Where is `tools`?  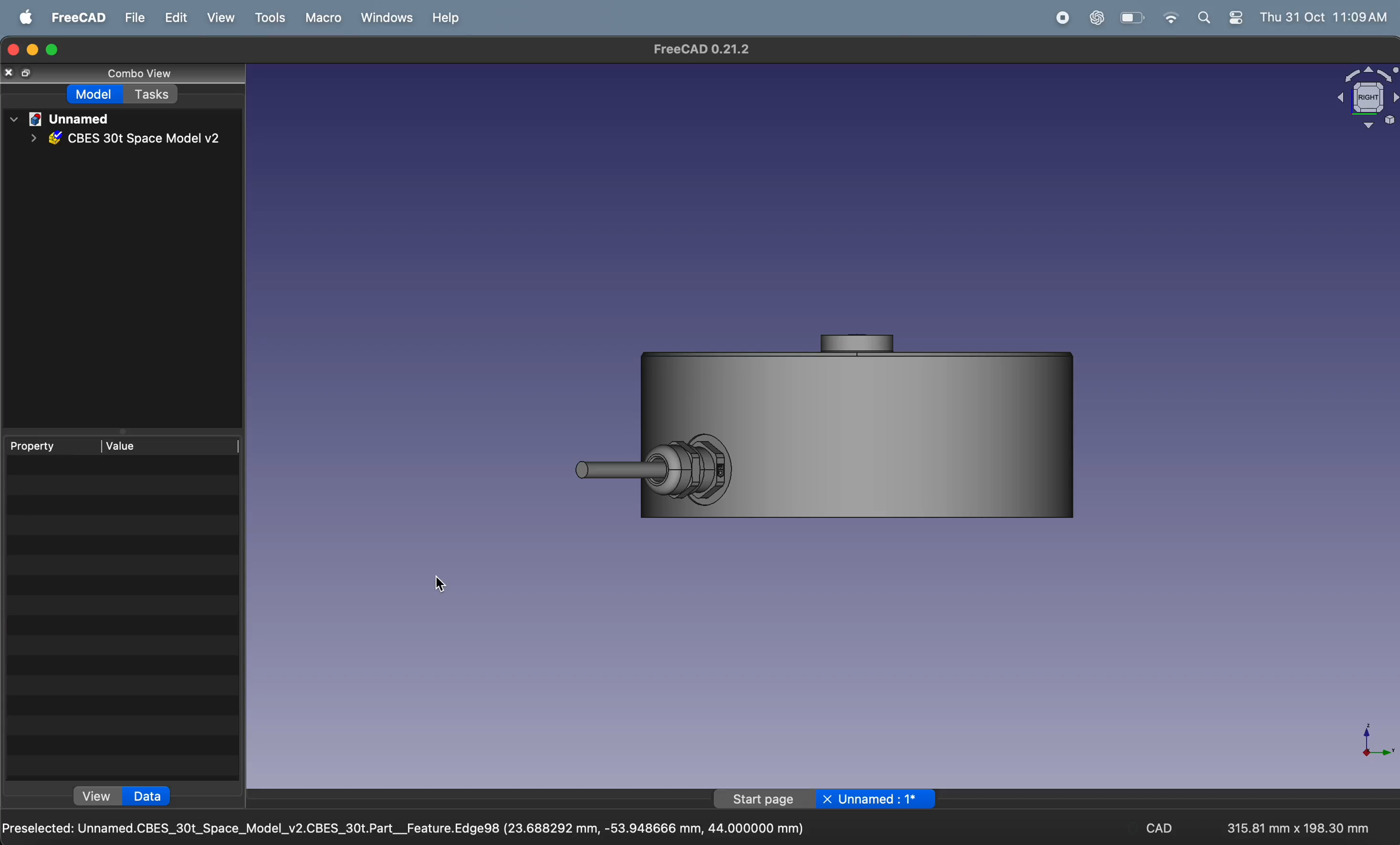
tools is located at coordinates (278, 20).